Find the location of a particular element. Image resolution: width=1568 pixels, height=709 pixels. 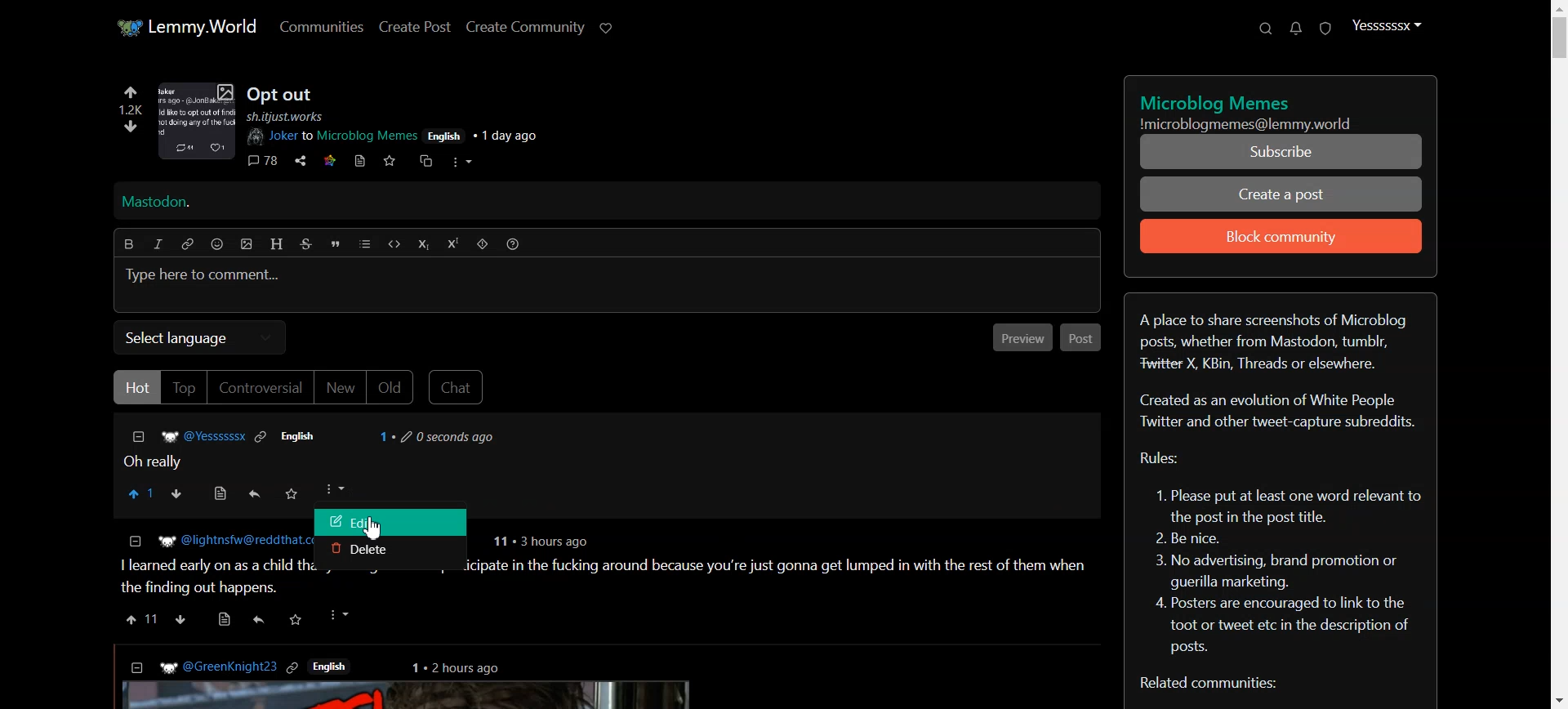

posts is located at coordinates (779, 560).